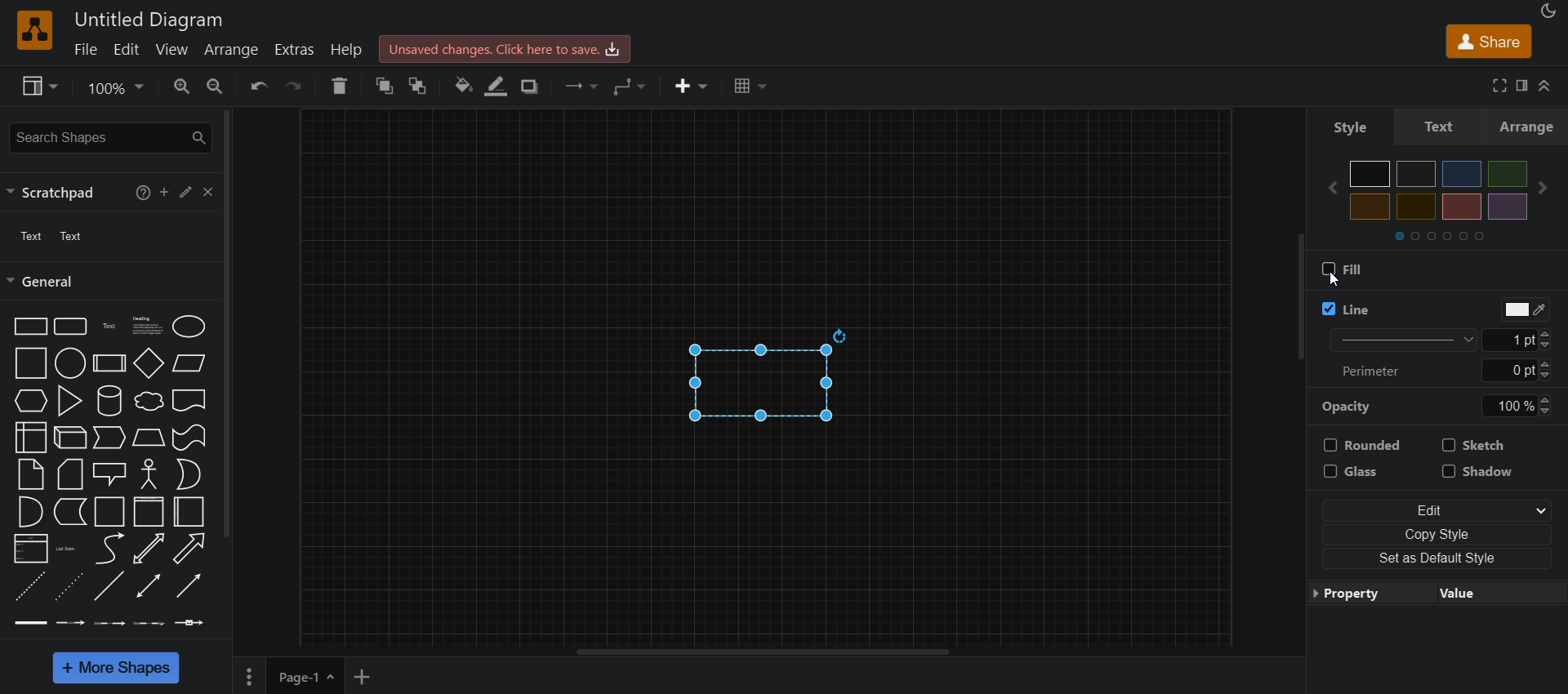  Describe the element at coordinates (1548, 376) in the screenshot. I see `decrease perimeter` at that location.